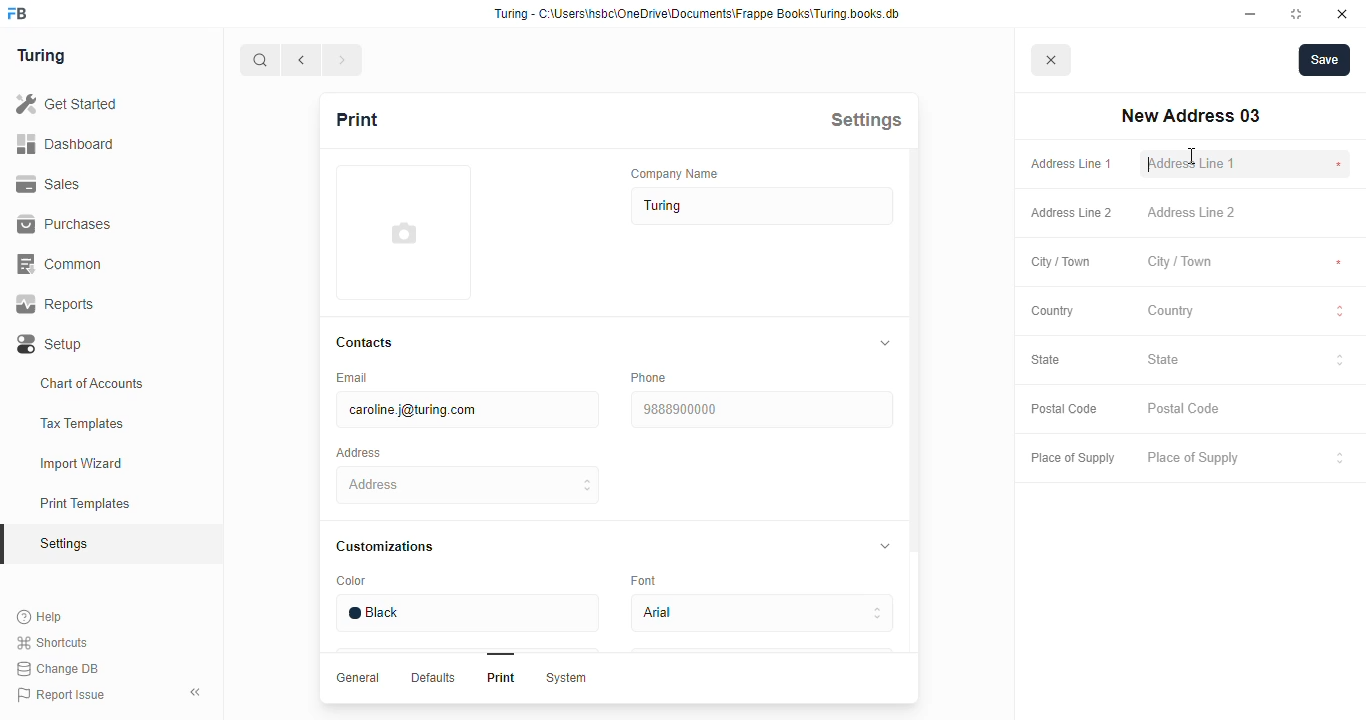 The image size is (1366, 720). Describe the element at coordinates (469, 485) in the screenshot. I see `address` at that location.